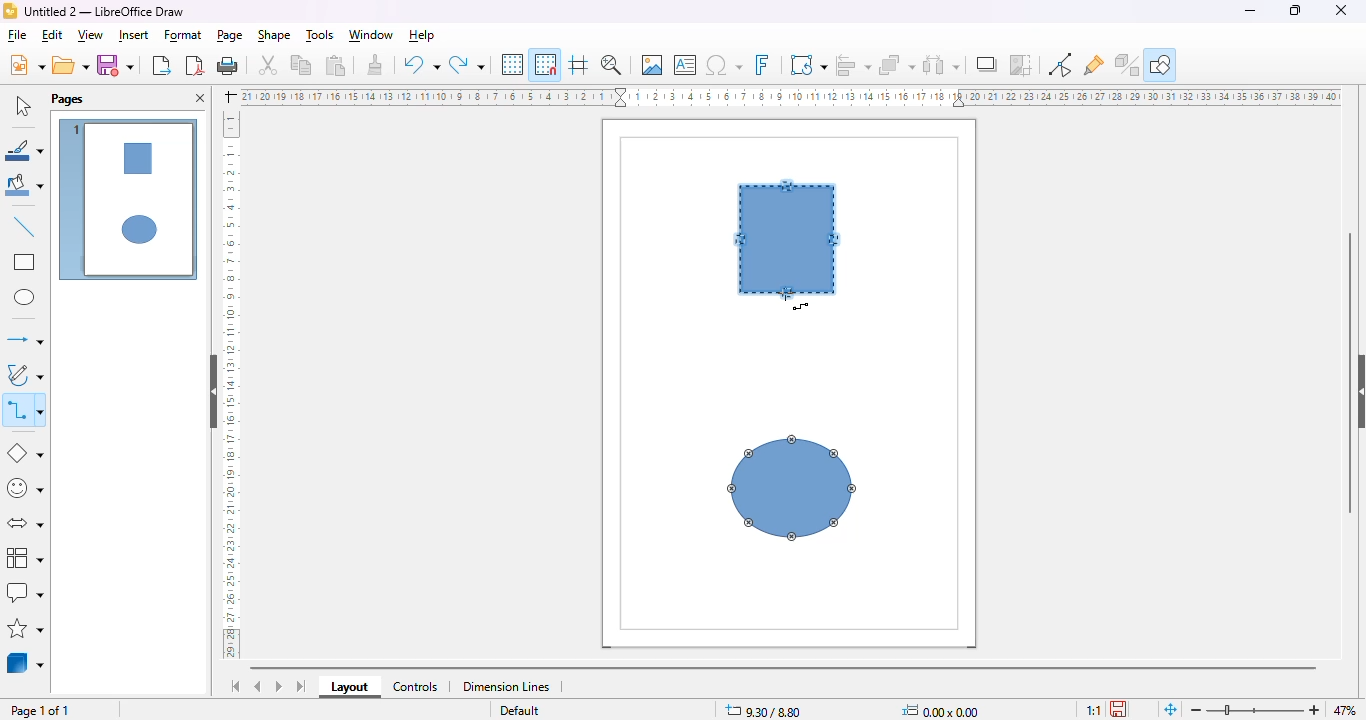 The image size is (1366, 720). What do you see at coordinates (115, 64) in the screenshot?
I see `save` at bounding box center [115, 64].